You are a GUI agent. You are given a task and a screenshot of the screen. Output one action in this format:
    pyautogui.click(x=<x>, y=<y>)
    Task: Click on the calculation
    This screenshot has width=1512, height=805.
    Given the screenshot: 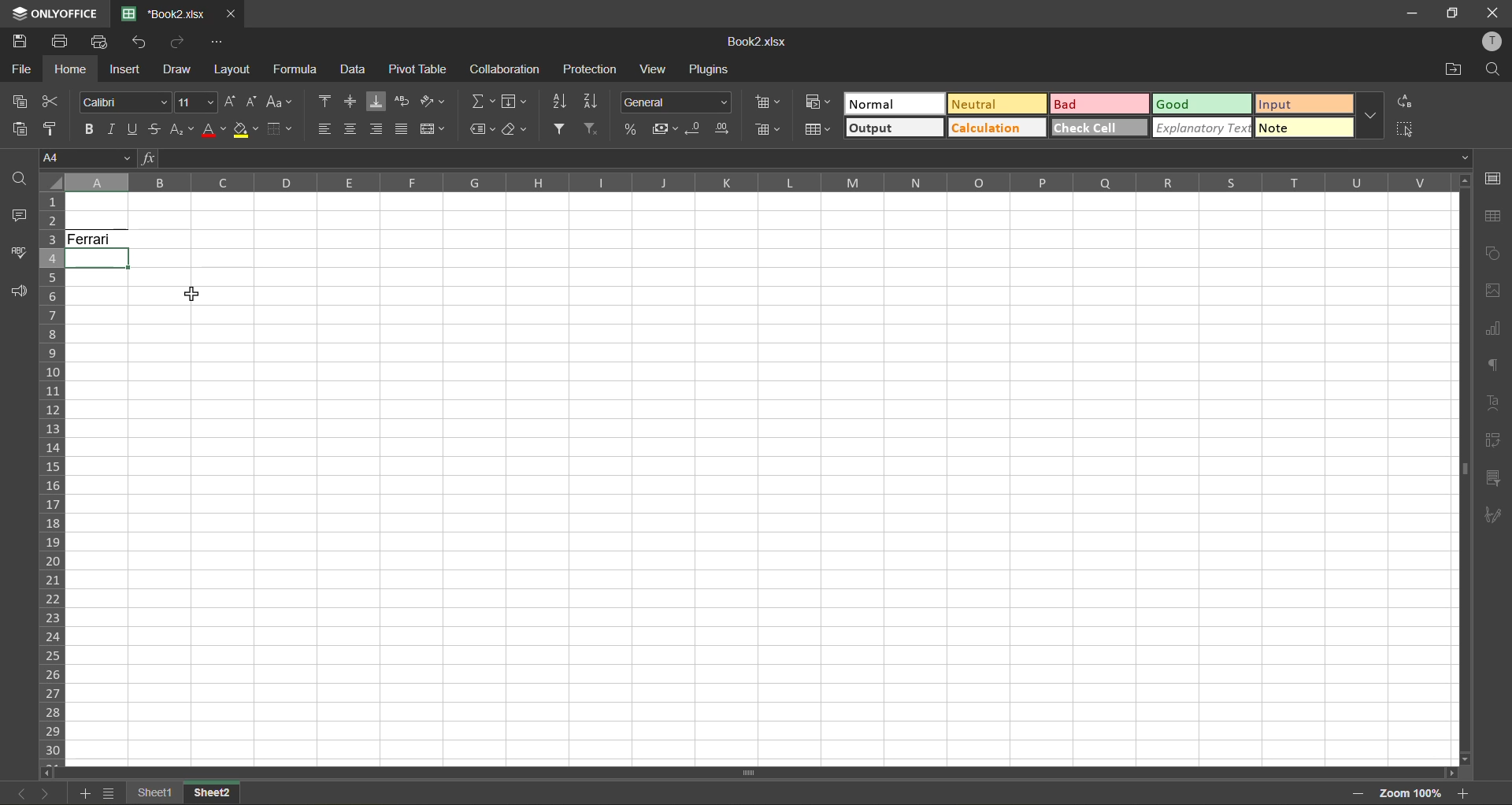 What is the action you would take?
    pyautogui.click(x=996, y=128)
    